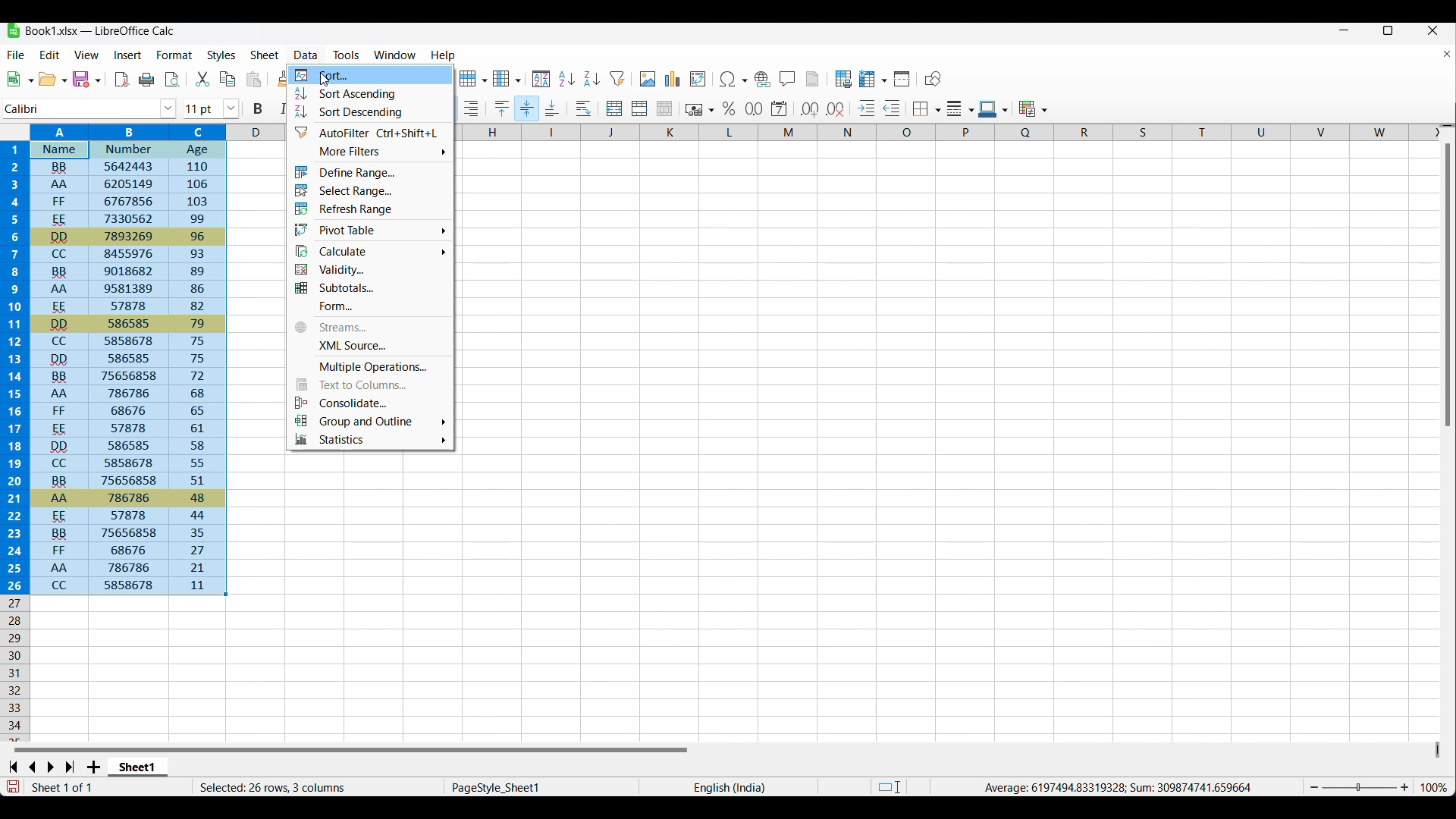 This screenshot has width=1456, height=819. What do you see at coordinates (1389, 30) in the screenshot?
I see `Show interface in a smaller tab` at bounding box center [1389, 30].